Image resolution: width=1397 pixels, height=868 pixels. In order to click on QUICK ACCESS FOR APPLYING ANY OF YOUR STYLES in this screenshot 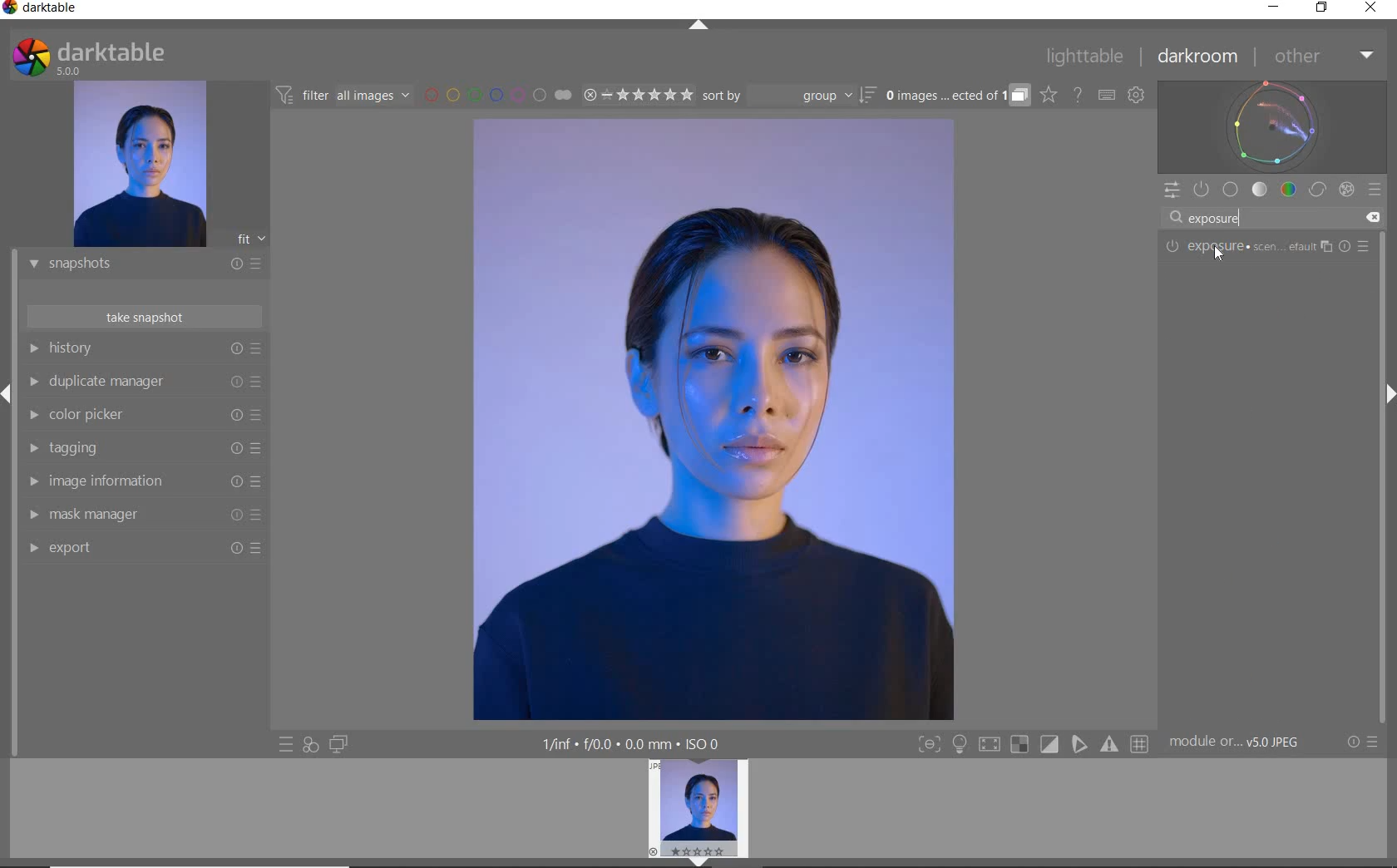, I will do `click(309, 744)`.